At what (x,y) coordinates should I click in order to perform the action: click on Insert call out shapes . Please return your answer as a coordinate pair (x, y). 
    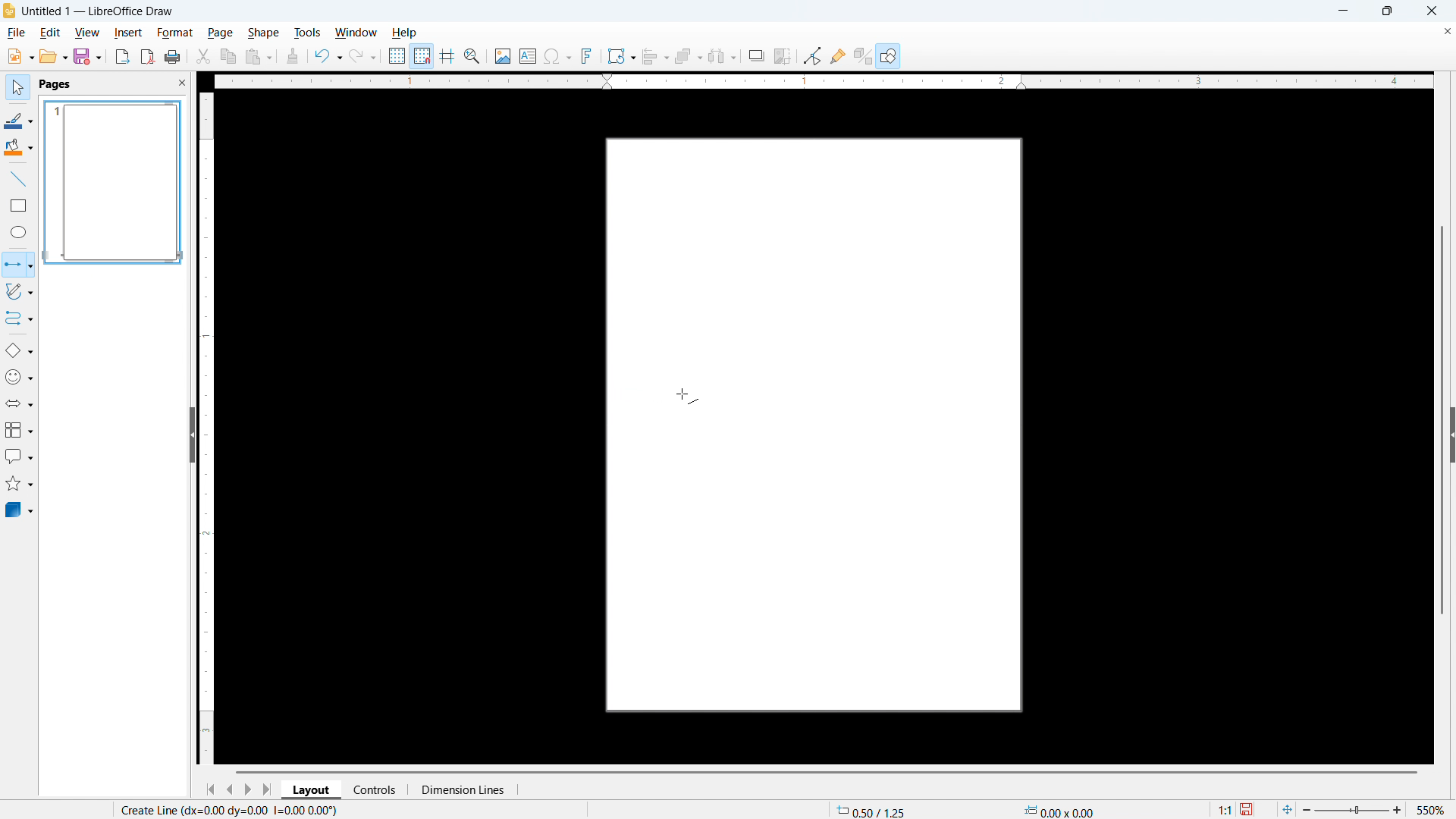
    Looking at the image, I should click on (20, 456).